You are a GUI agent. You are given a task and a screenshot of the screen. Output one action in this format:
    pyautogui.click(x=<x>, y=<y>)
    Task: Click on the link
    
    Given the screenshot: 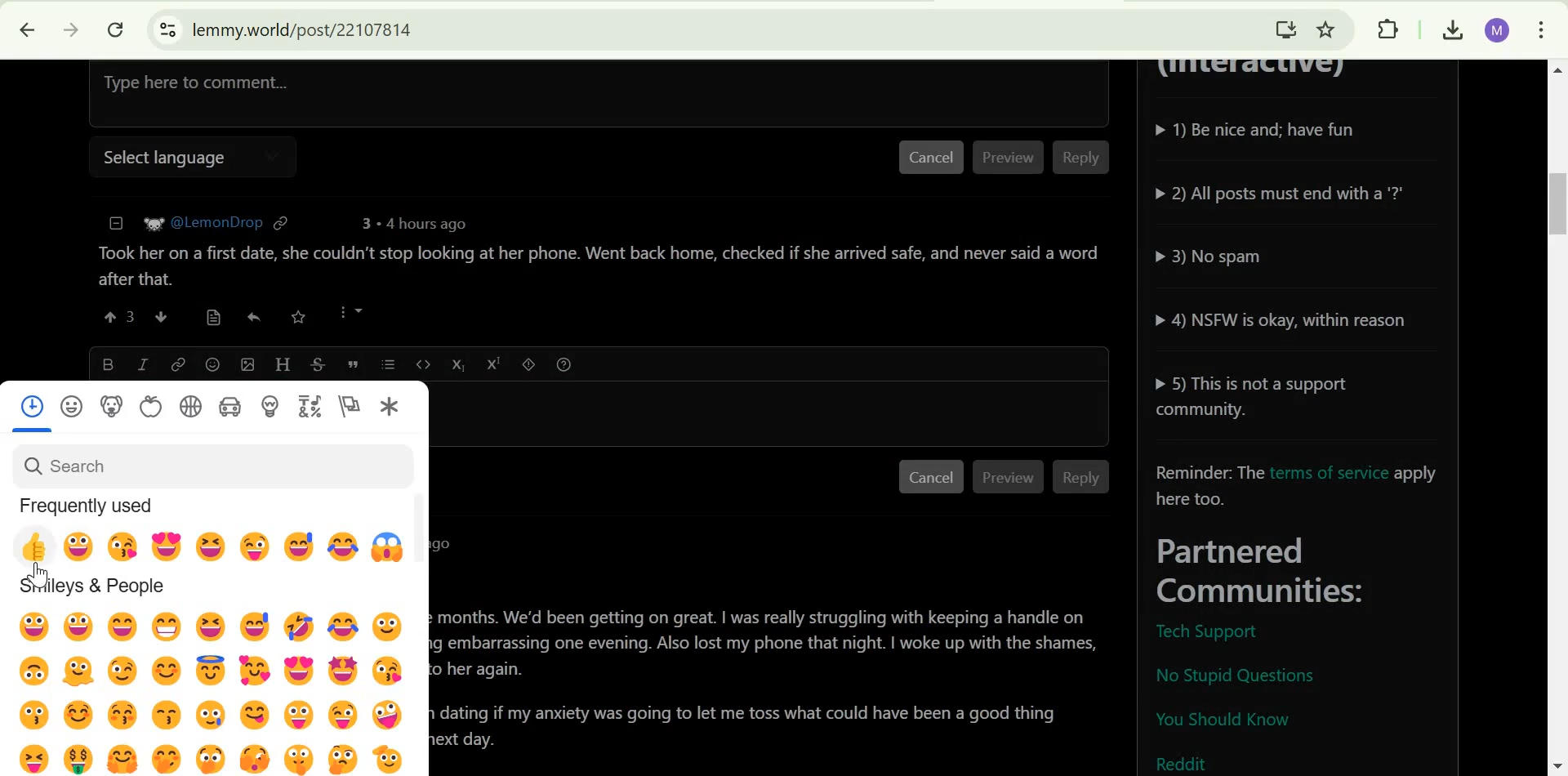 What is the action you would take?
    pyautogui.click(x=282, y=222)
    